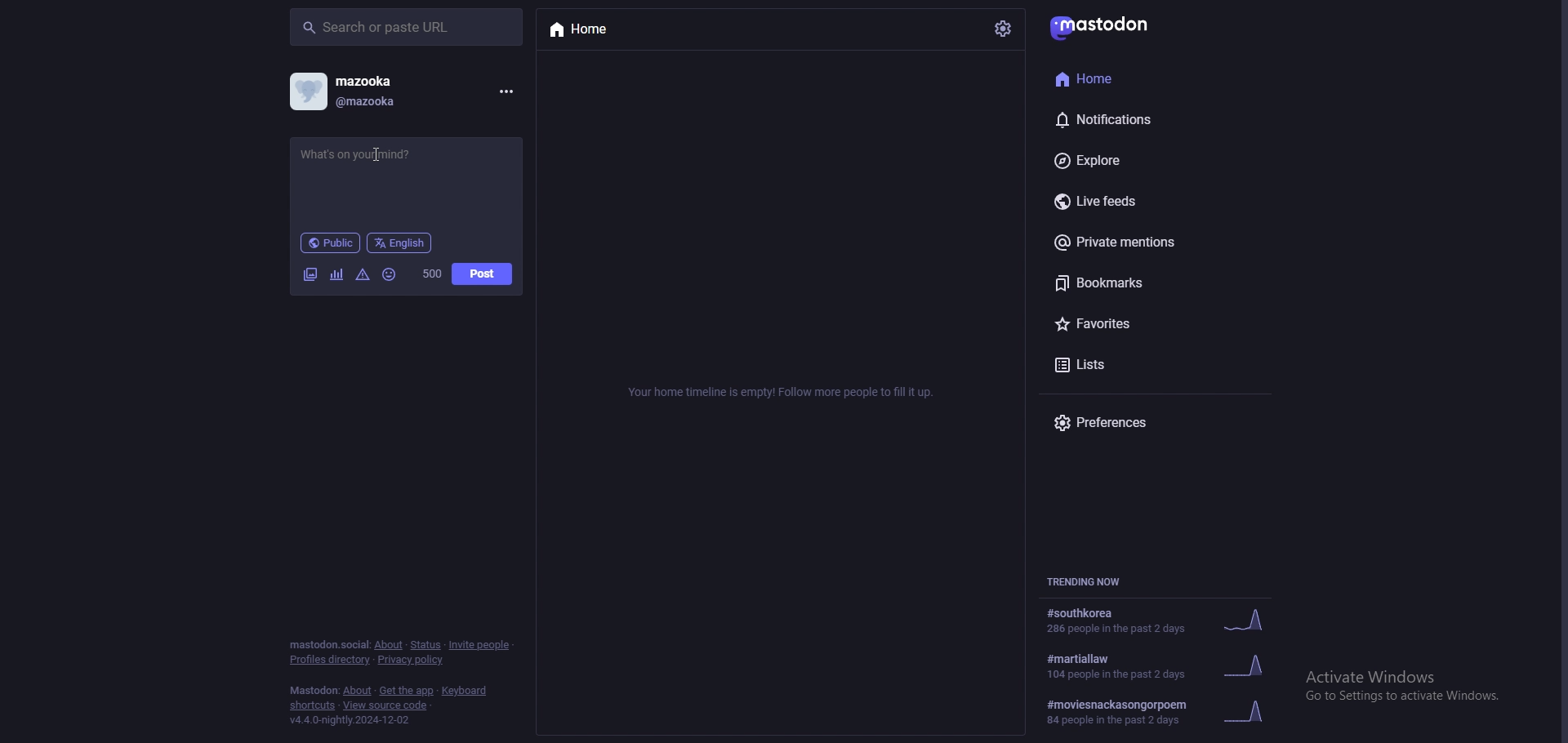  I want to click on view source code, so click(388, 705).